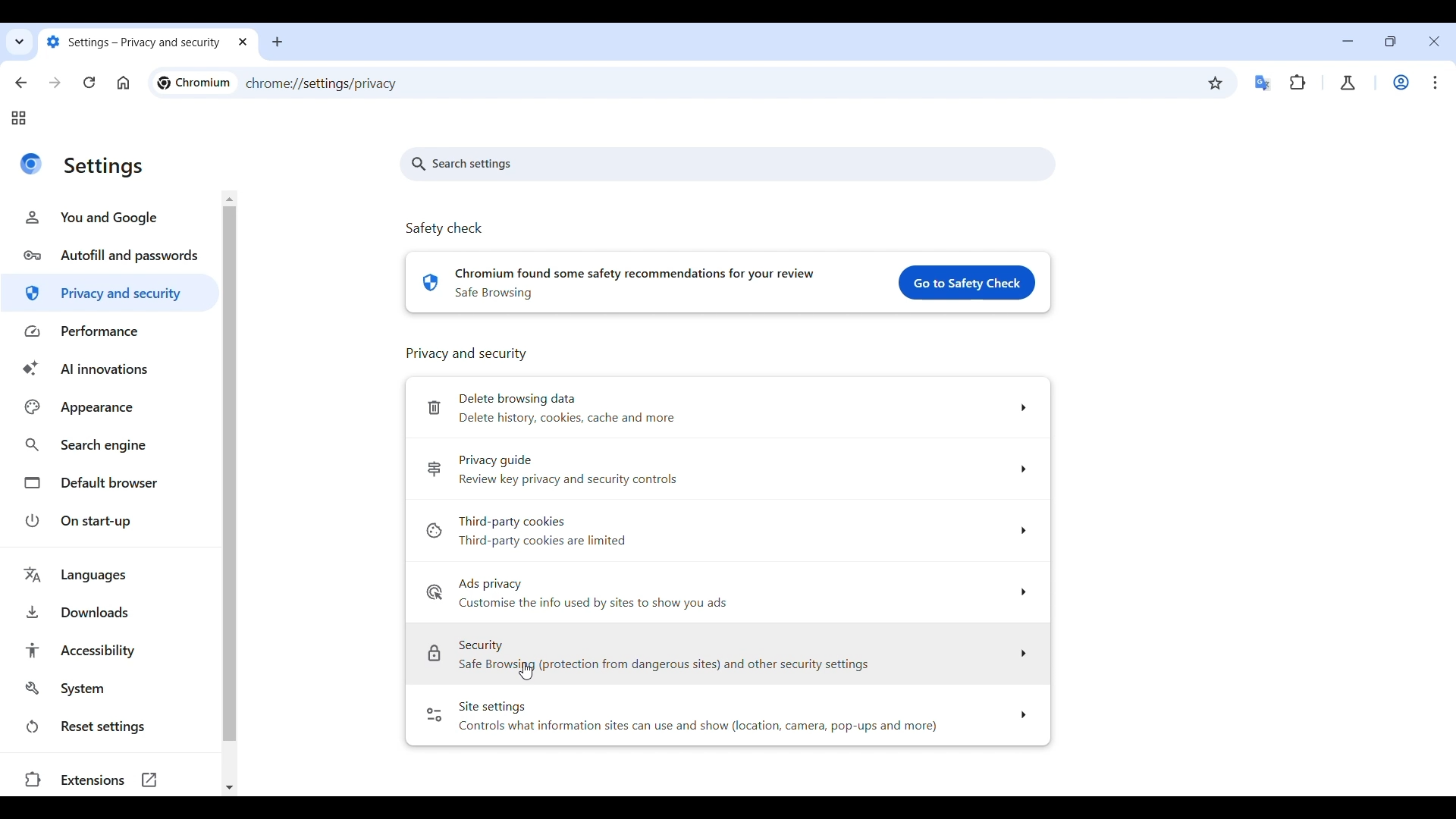 The height and width of the screenshot is (819, 1456). Describe the element at coordinates (112, 689) in the screenshot. I see `System` at that location.